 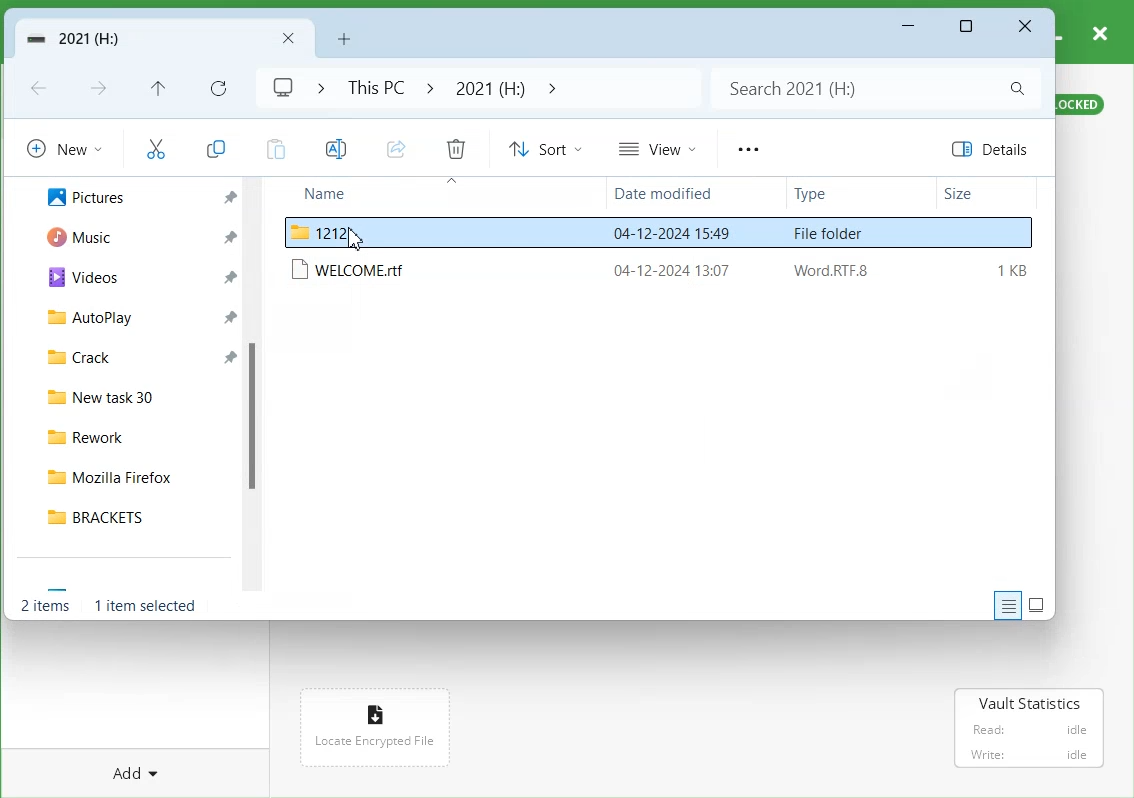 I want to click on Sort, so click(x=545, y=148).